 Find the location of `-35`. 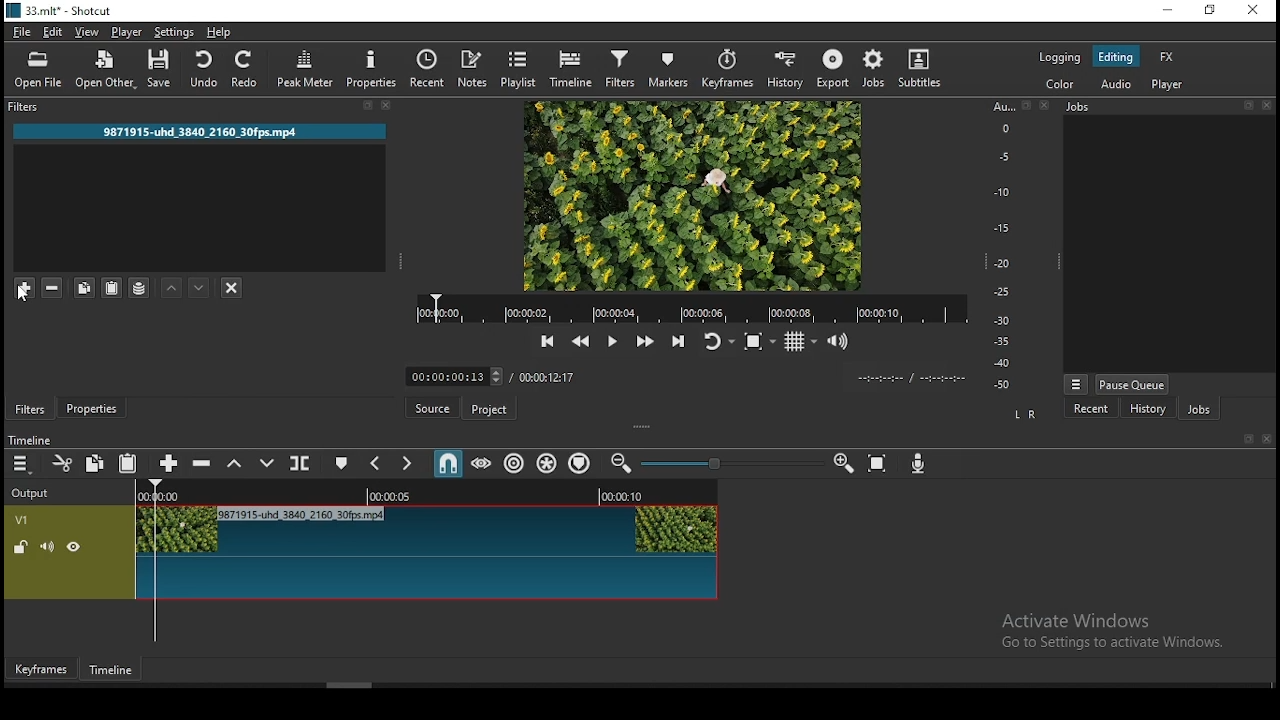

-35 is located at coordinates (1000, 339).